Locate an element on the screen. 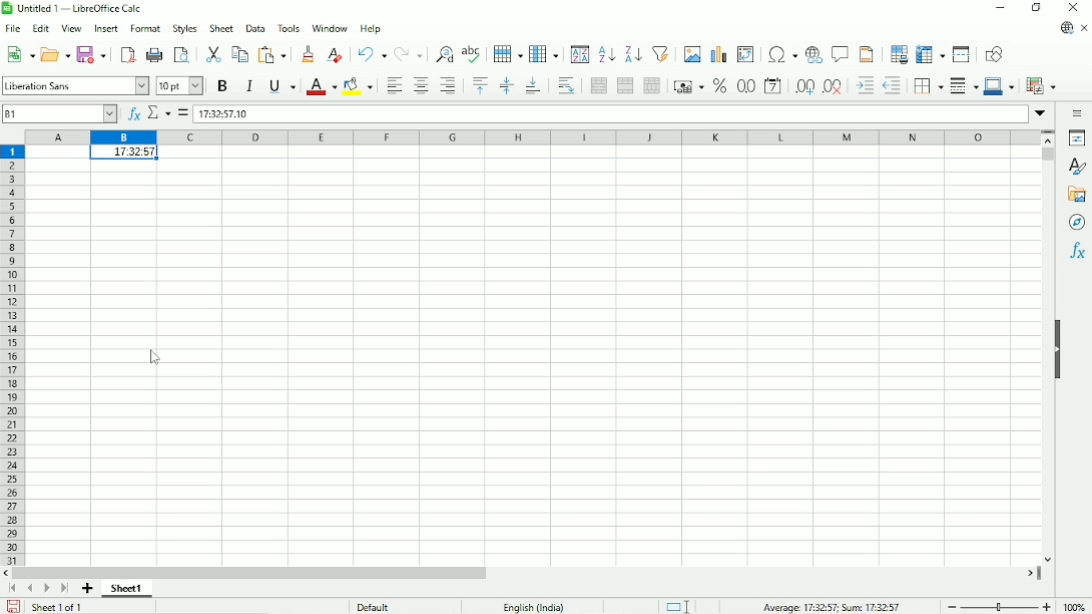 This screenshot has width=1092, height=614. Sheet is located at coordinates (222, 28).